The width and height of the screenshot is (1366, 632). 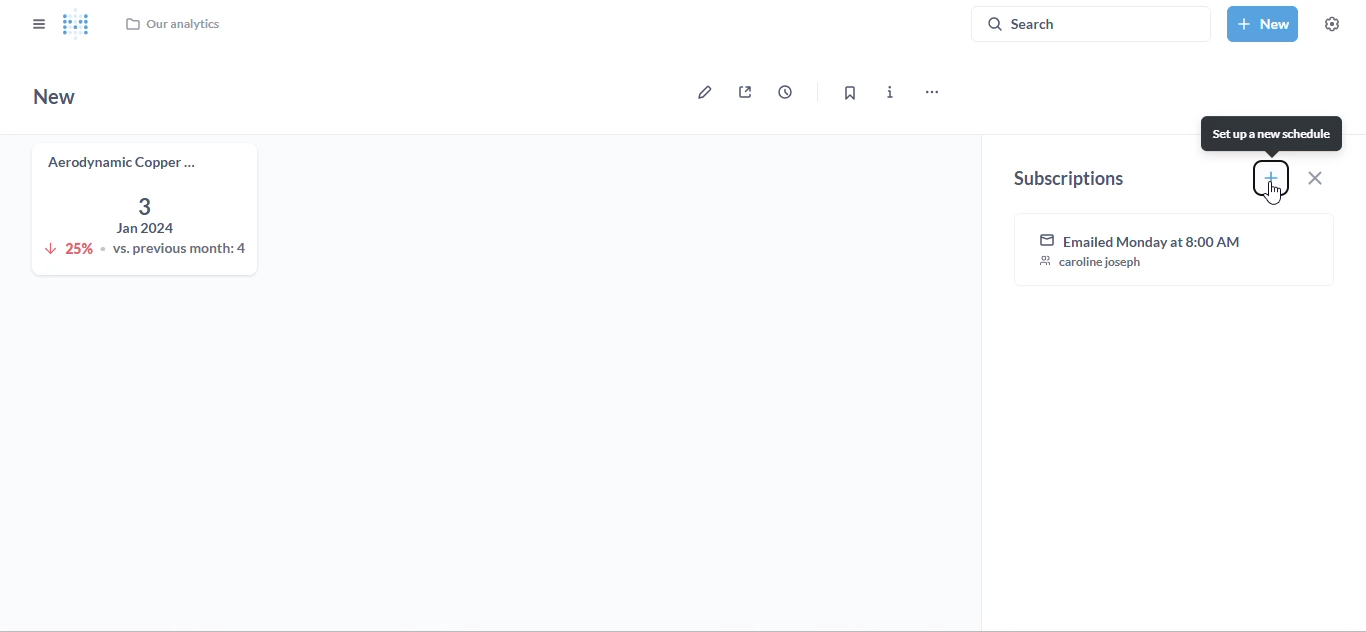 What do you see at coordinates (1263, 23) in the screenshot?
I see `new` at bounding box center [1263, 23].